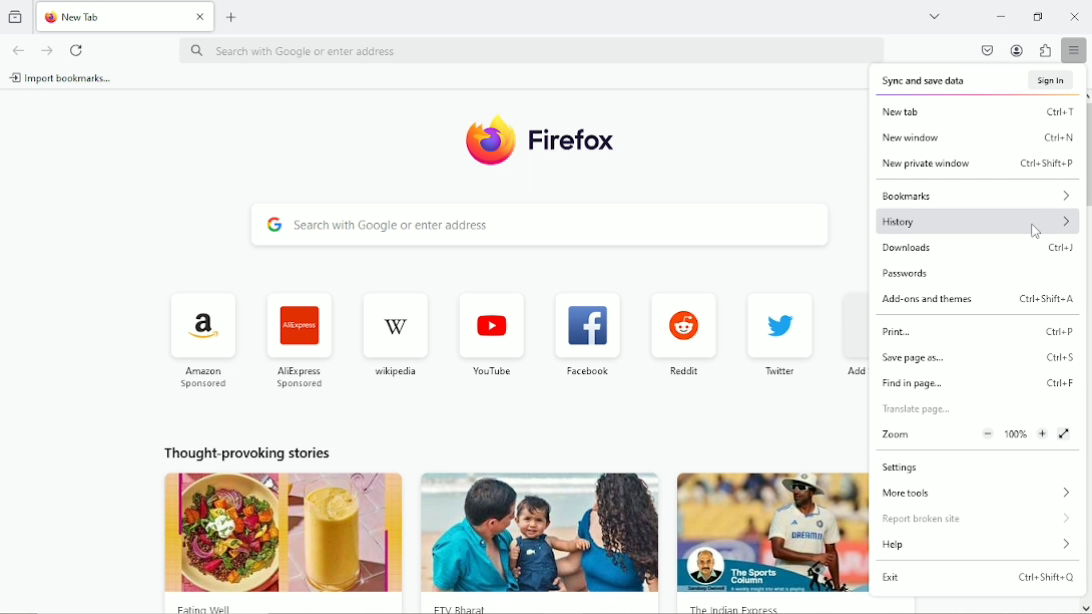 The image size is (1092, 614). I want to click on passwords, so click(904, 274).